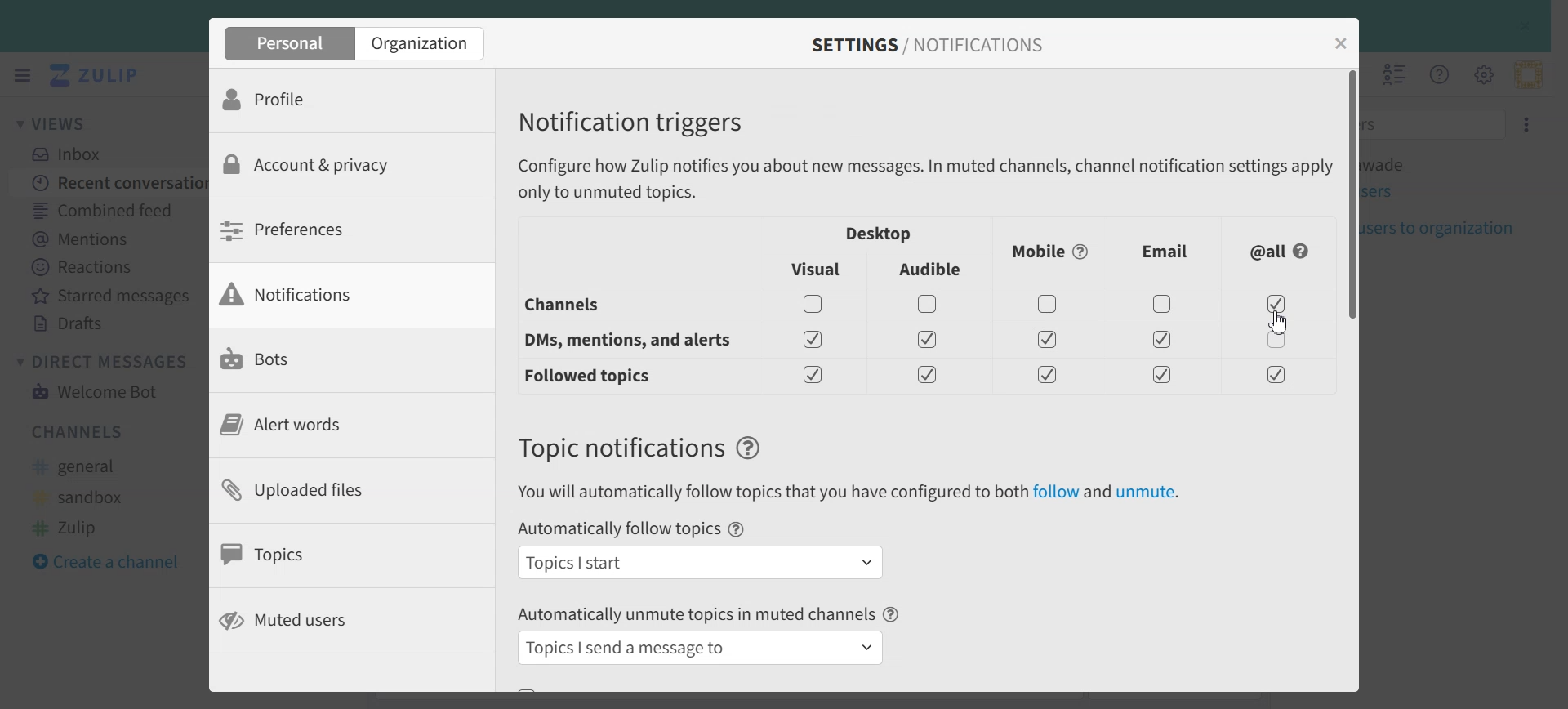 Image resolution: width=1568 pixels, height=709 pixels. Describe the element at coordinates (1342, 43) in the screenshot. I see `Close` at that location.